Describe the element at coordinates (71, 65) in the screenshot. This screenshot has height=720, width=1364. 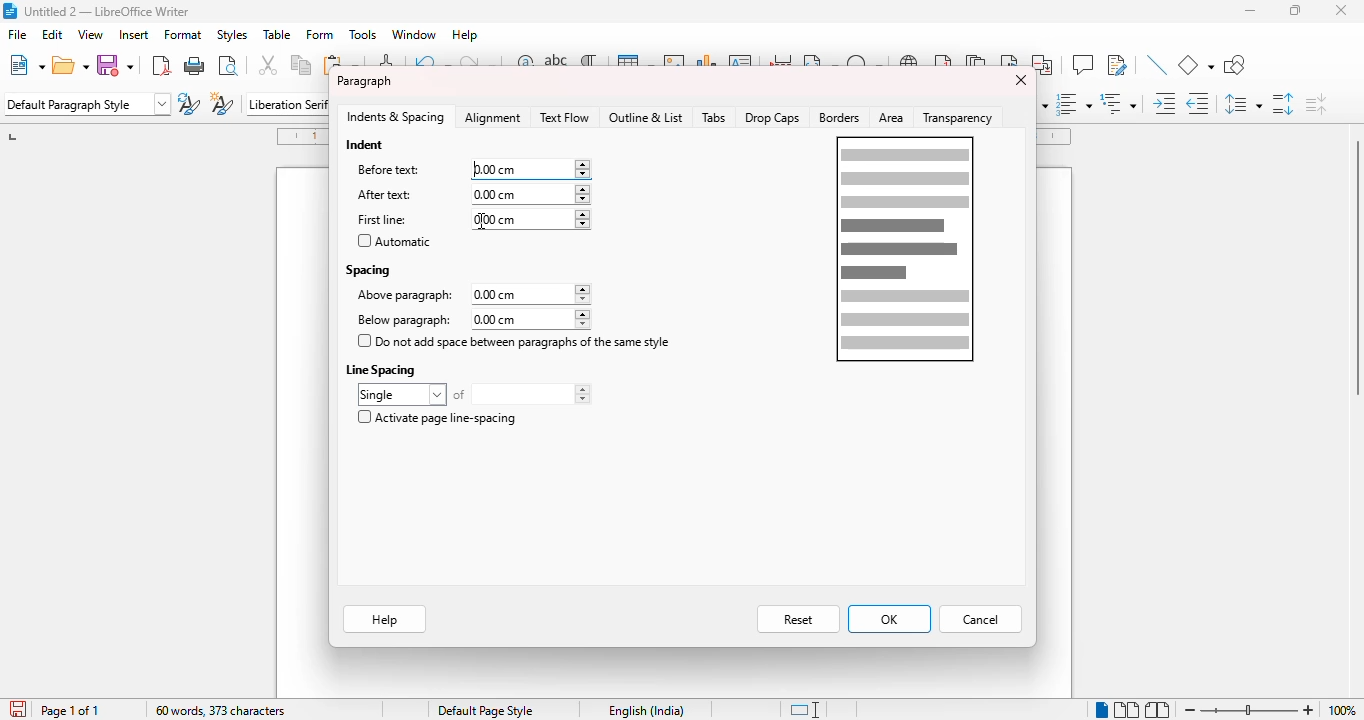
I see `open` at that location.